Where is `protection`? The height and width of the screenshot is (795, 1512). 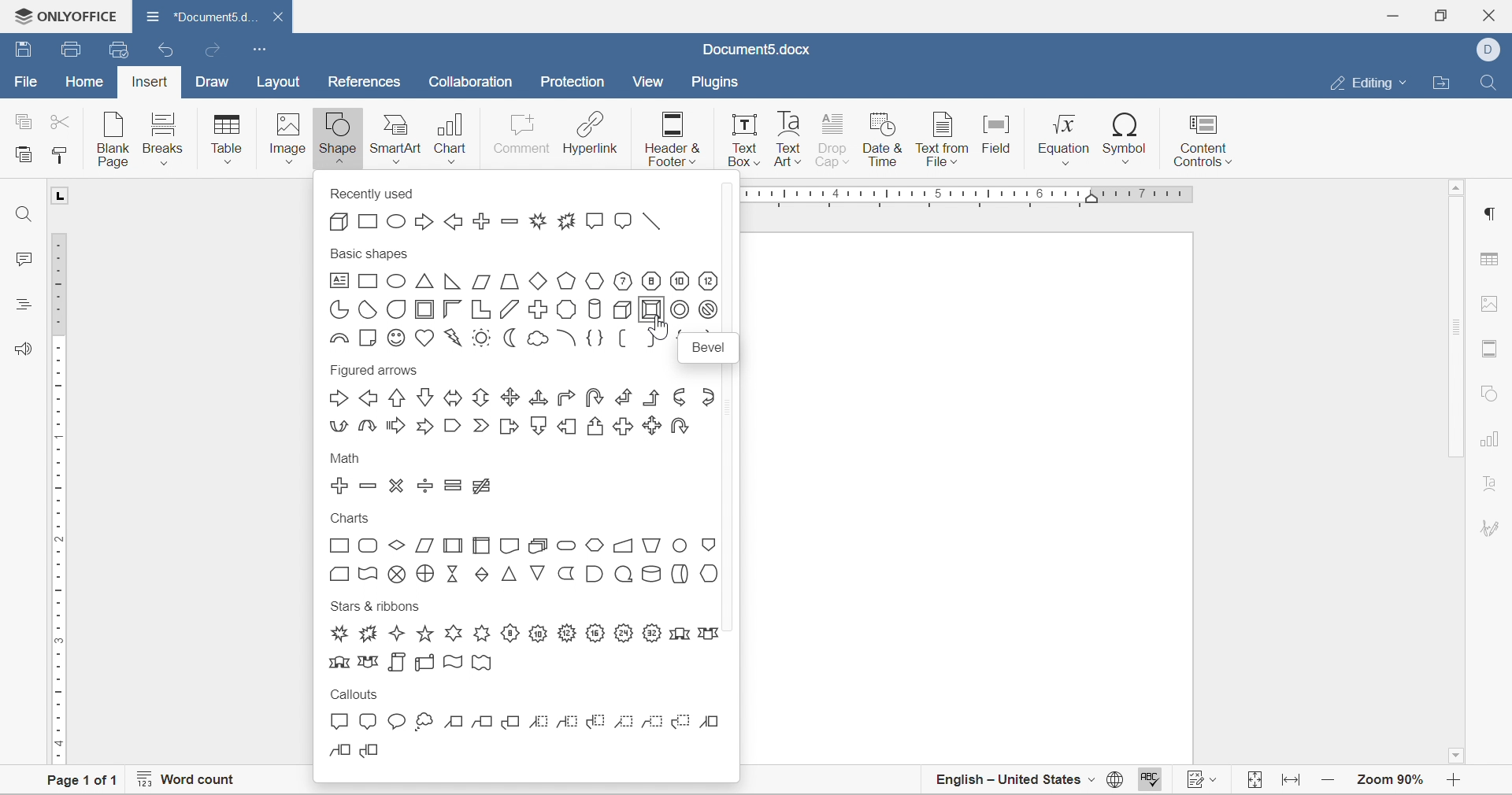
protection is located at coordinates (573, 81).